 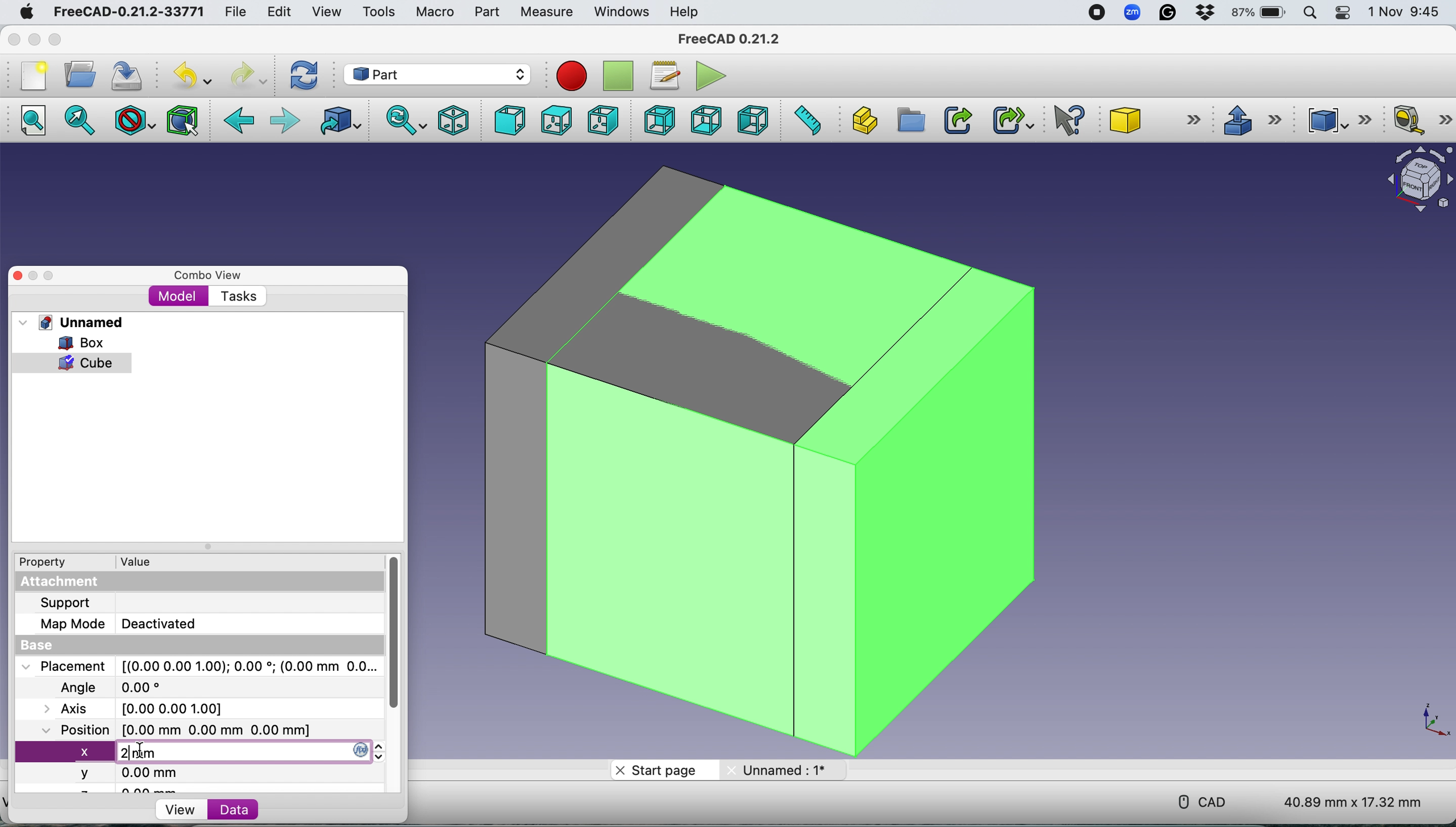 I want to click on Axis [0.00 0.00 0.00], so click(x=143, y=708).